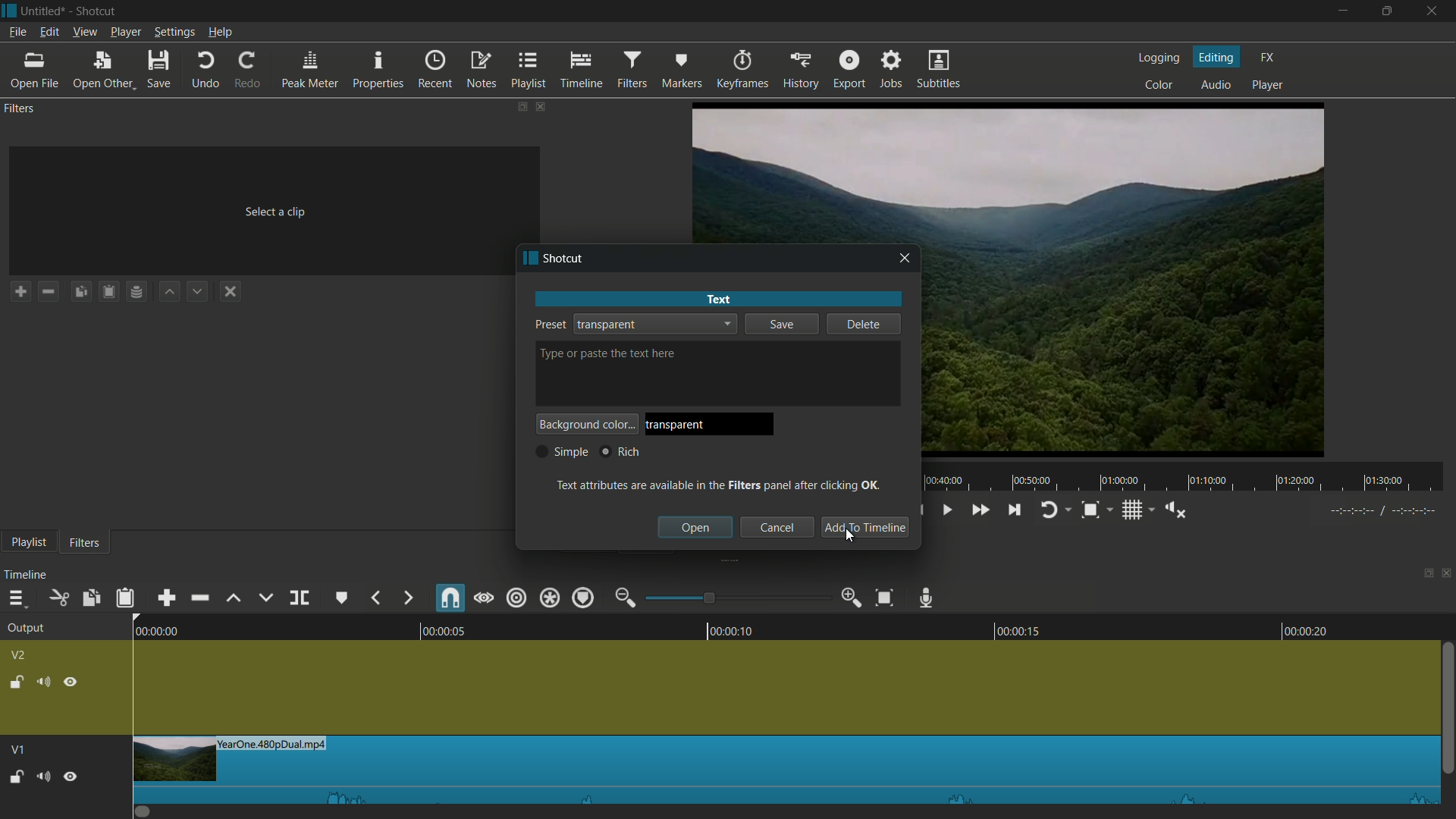 The height and width of the screenshot is (819, 1456). What do you see at coordinates (265, 598) in the screenshot?
I see `overwrite` at bounding box center [265, 598].